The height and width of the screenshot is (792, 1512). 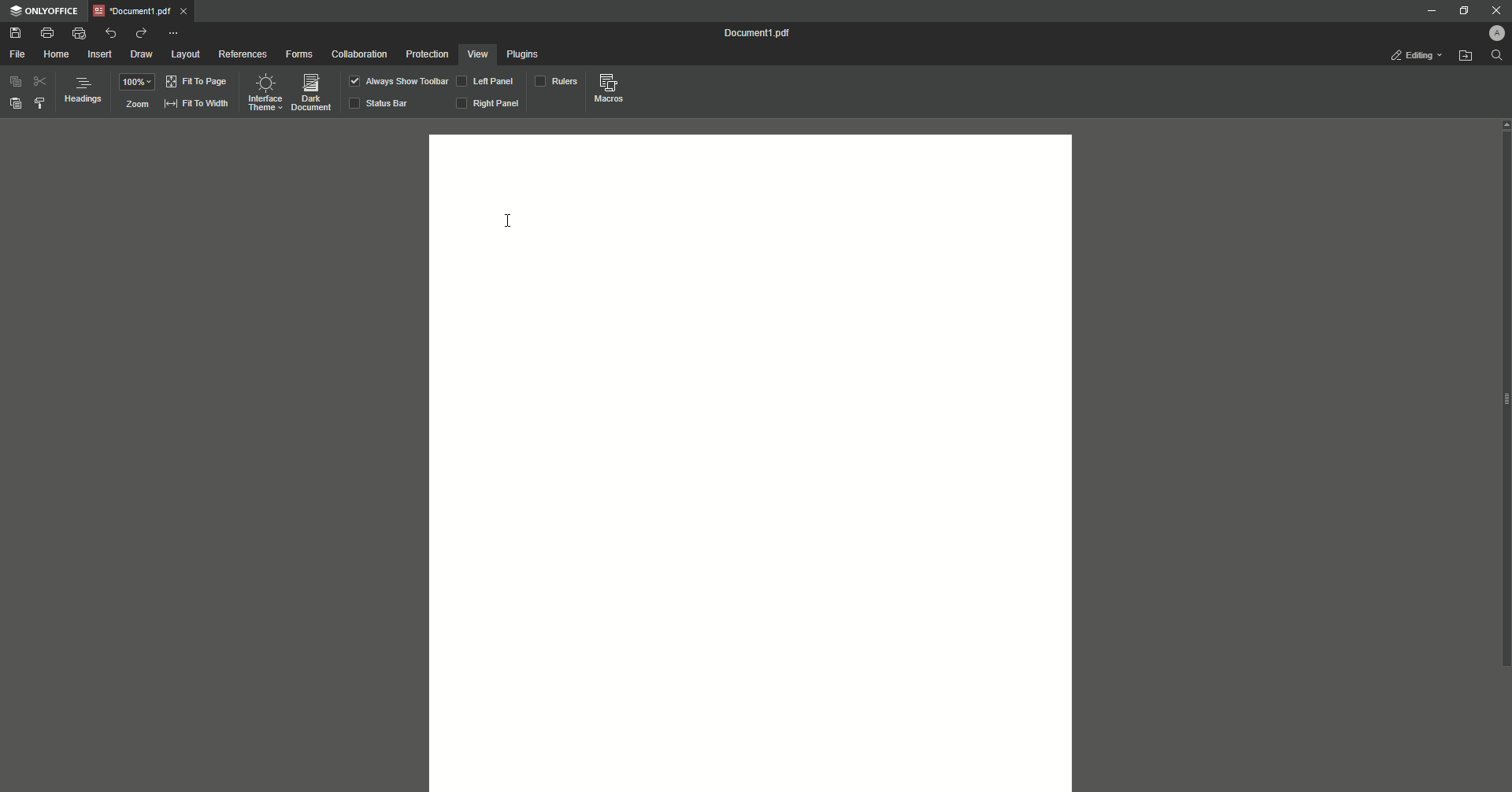 I want to click on Interface theme, so click(x=265, y=92).